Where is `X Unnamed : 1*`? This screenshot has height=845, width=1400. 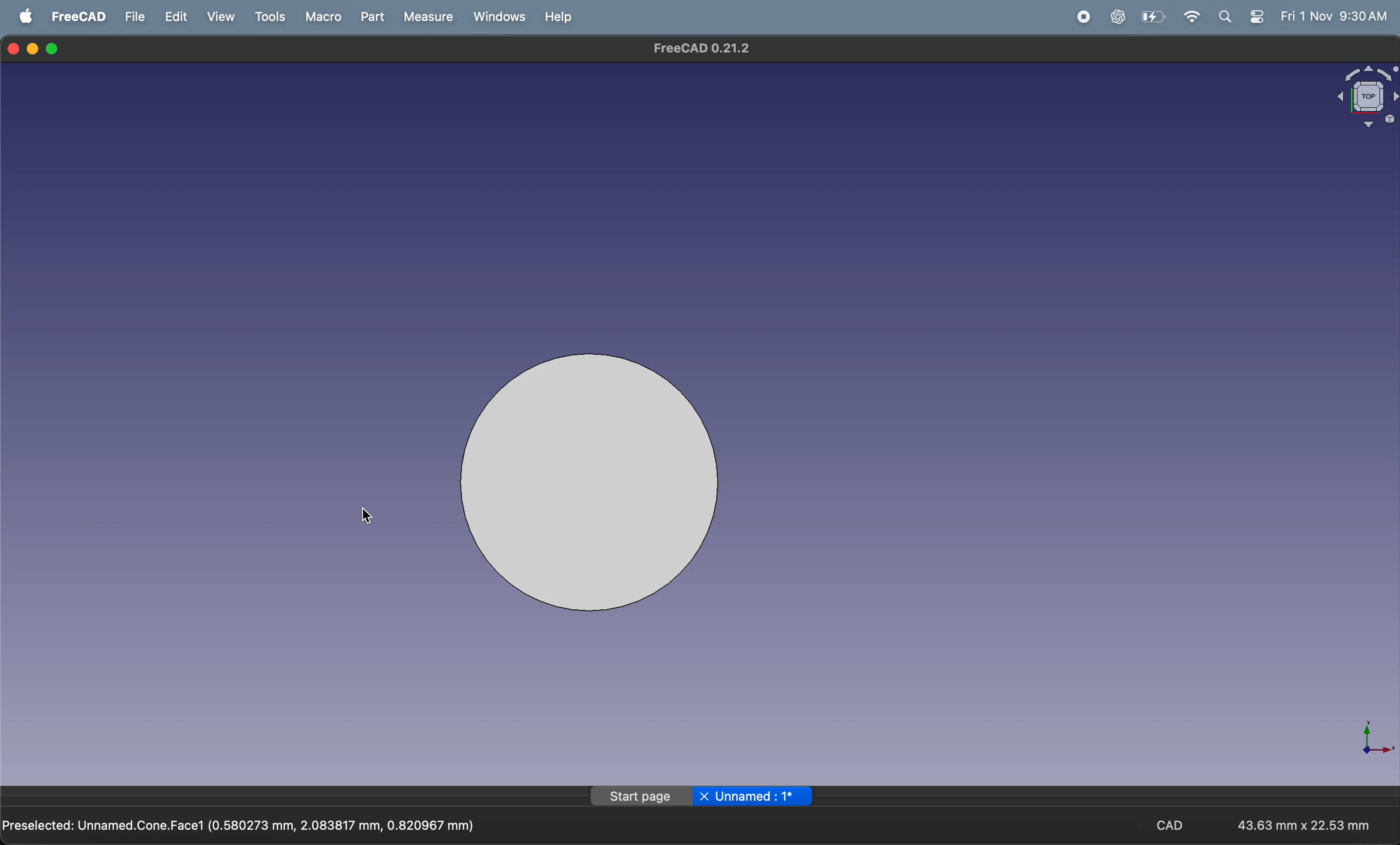
X Unnamed : 1* is located at coordinates (753, 794).